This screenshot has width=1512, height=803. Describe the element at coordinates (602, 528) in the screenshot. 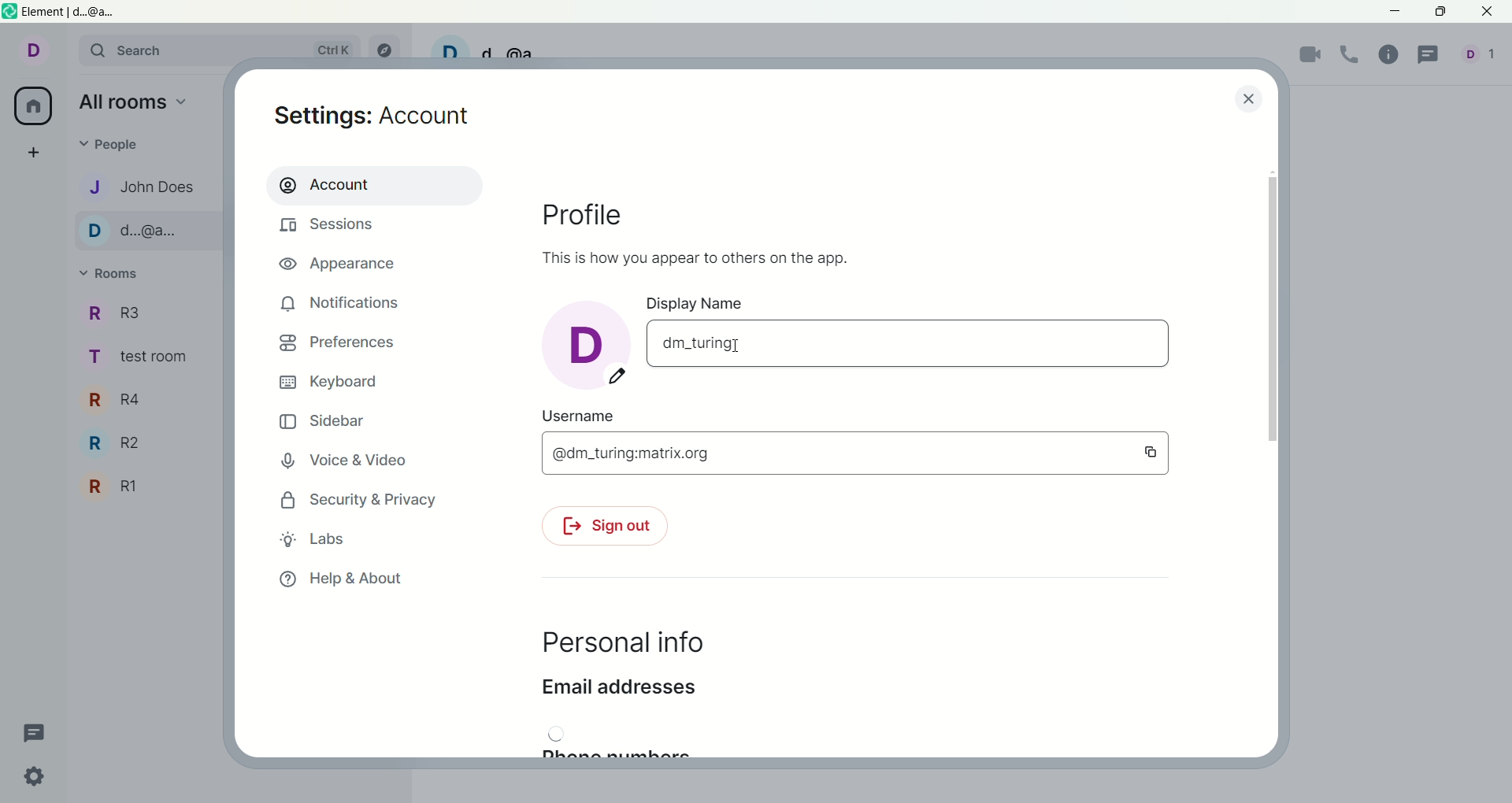

I see `sign out` at that location.